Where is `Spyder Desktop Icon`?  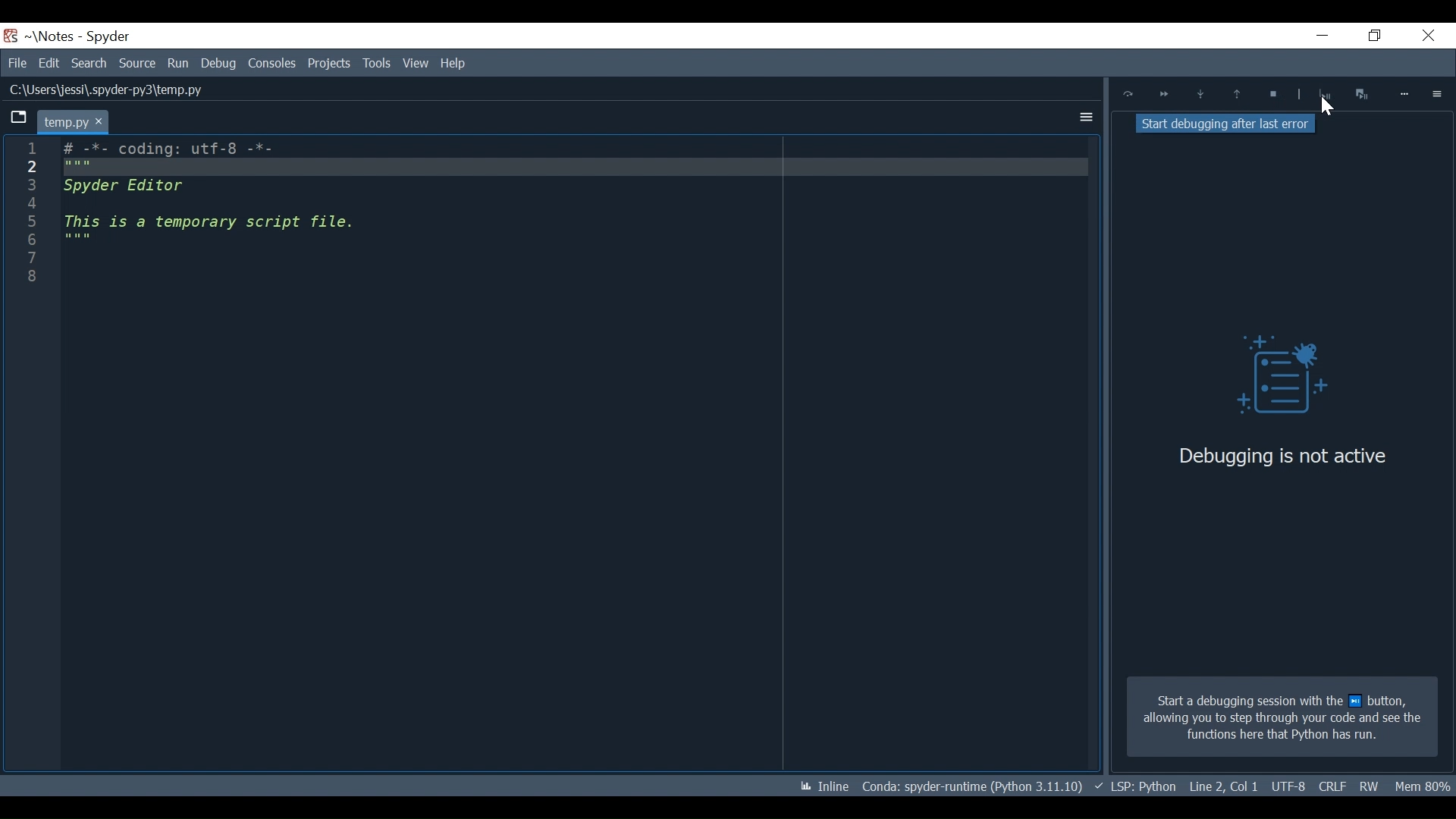 Spyder Desktop Icon is located at coordinates (11, 36).